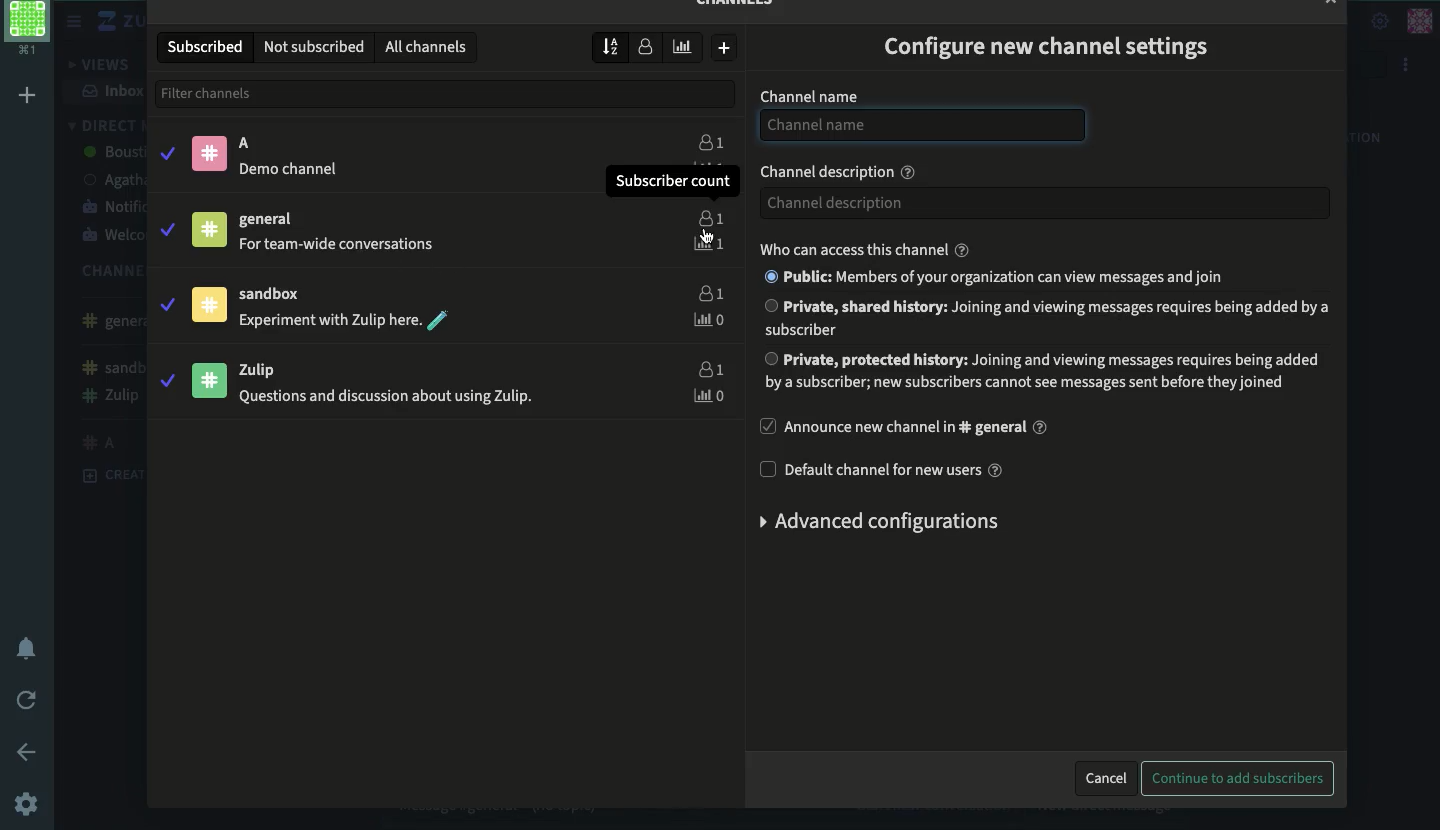 The width and height of the screenshot is (1440, 830). Describe the element at coordinates (1034, 276) in the screenshot. I see `® Public: Members of your organization can view messages and join` at that location.